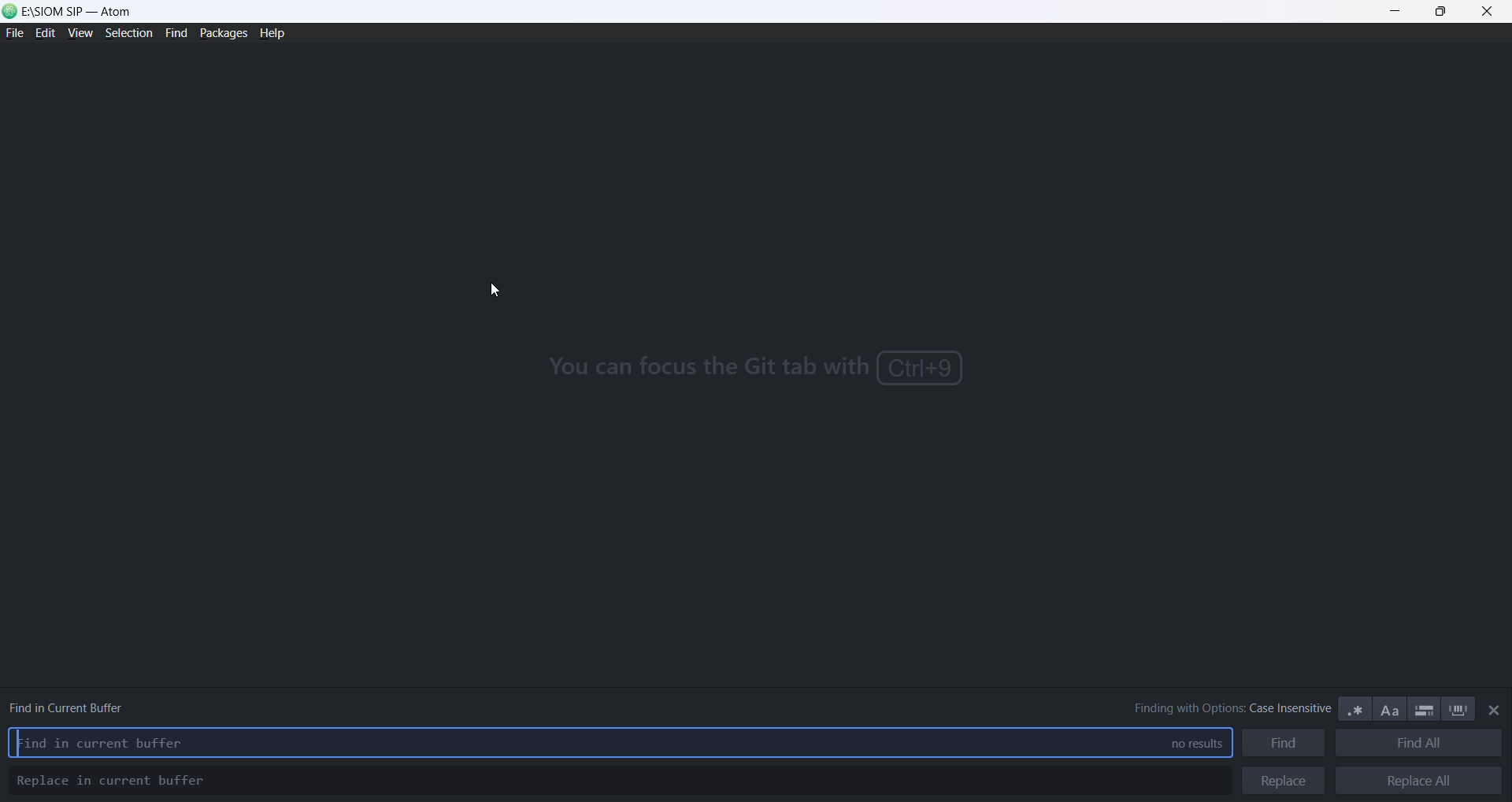 This screenshot has width=1512, height=802. Describe the element at coordinates (45, 35) in the screenshot. I see `edit` at that location.